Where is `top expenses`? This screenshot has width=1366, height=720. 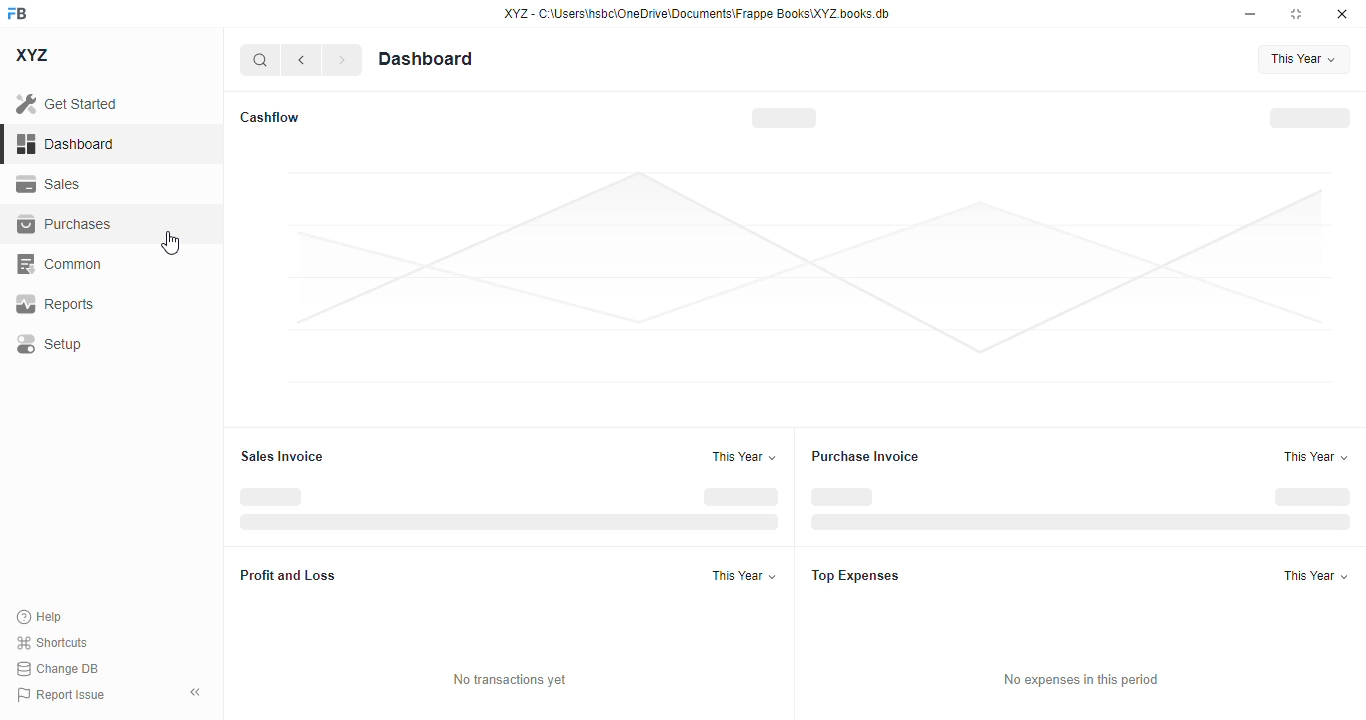
top expenses is located at coordinates (857, 576).